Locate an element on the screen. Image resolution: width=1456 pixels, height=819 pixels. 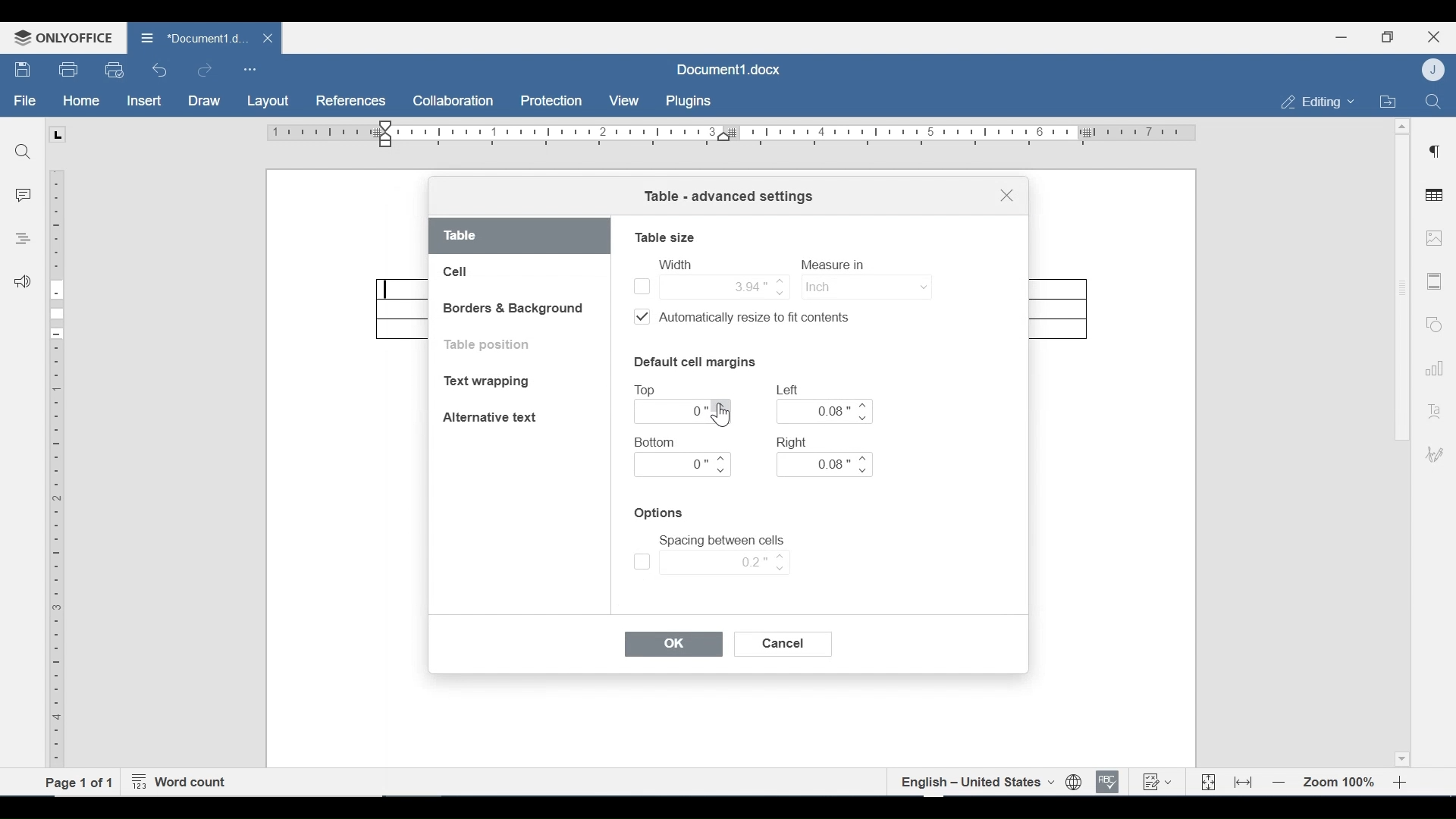
References is located at coordinates (350, 101).